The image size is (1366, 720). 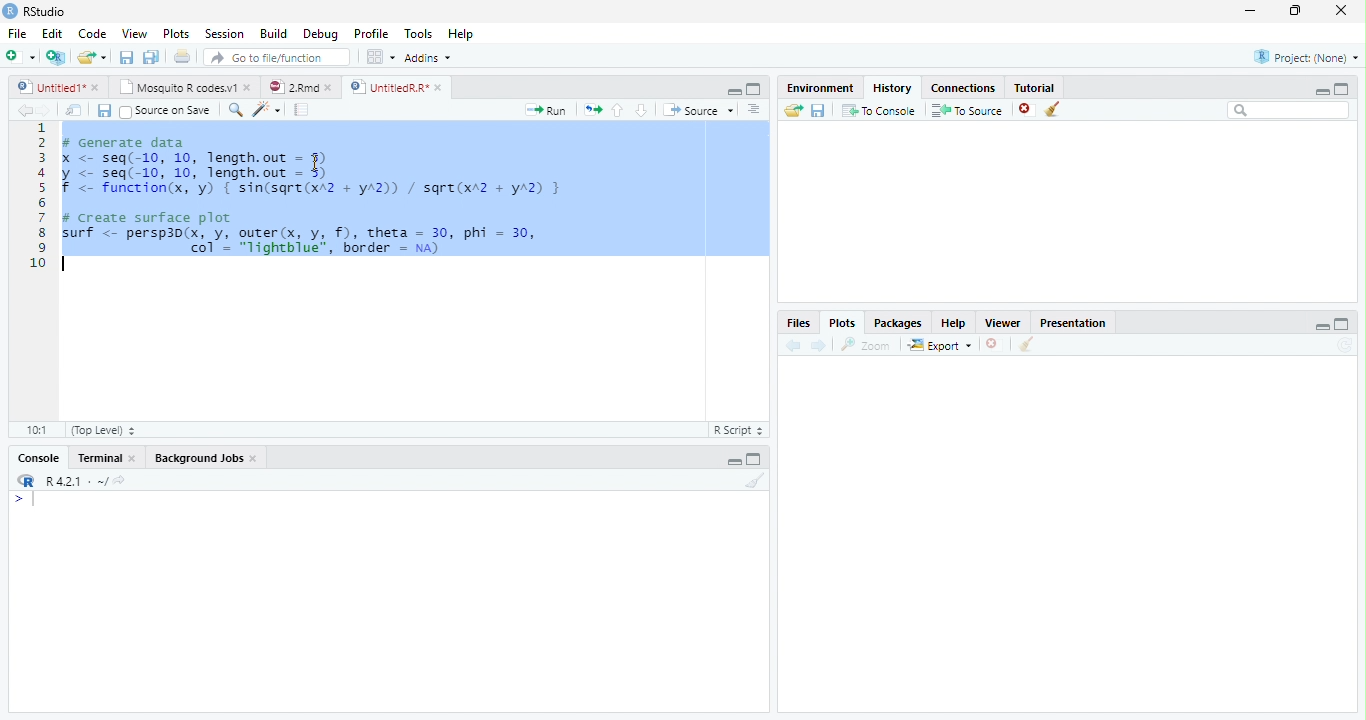 I want to click on Maximixe, so click(x=754, y=88).